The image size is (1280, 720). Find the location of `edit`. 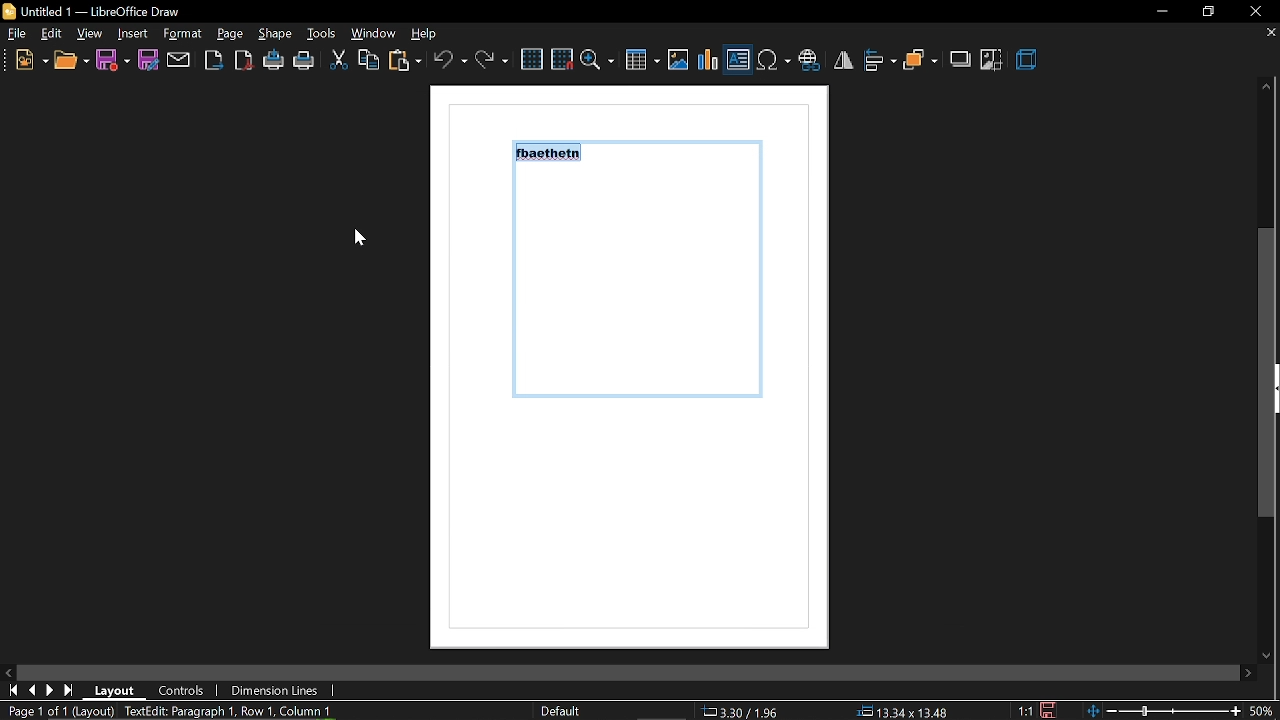

edit is located at coordinates (52, 34).